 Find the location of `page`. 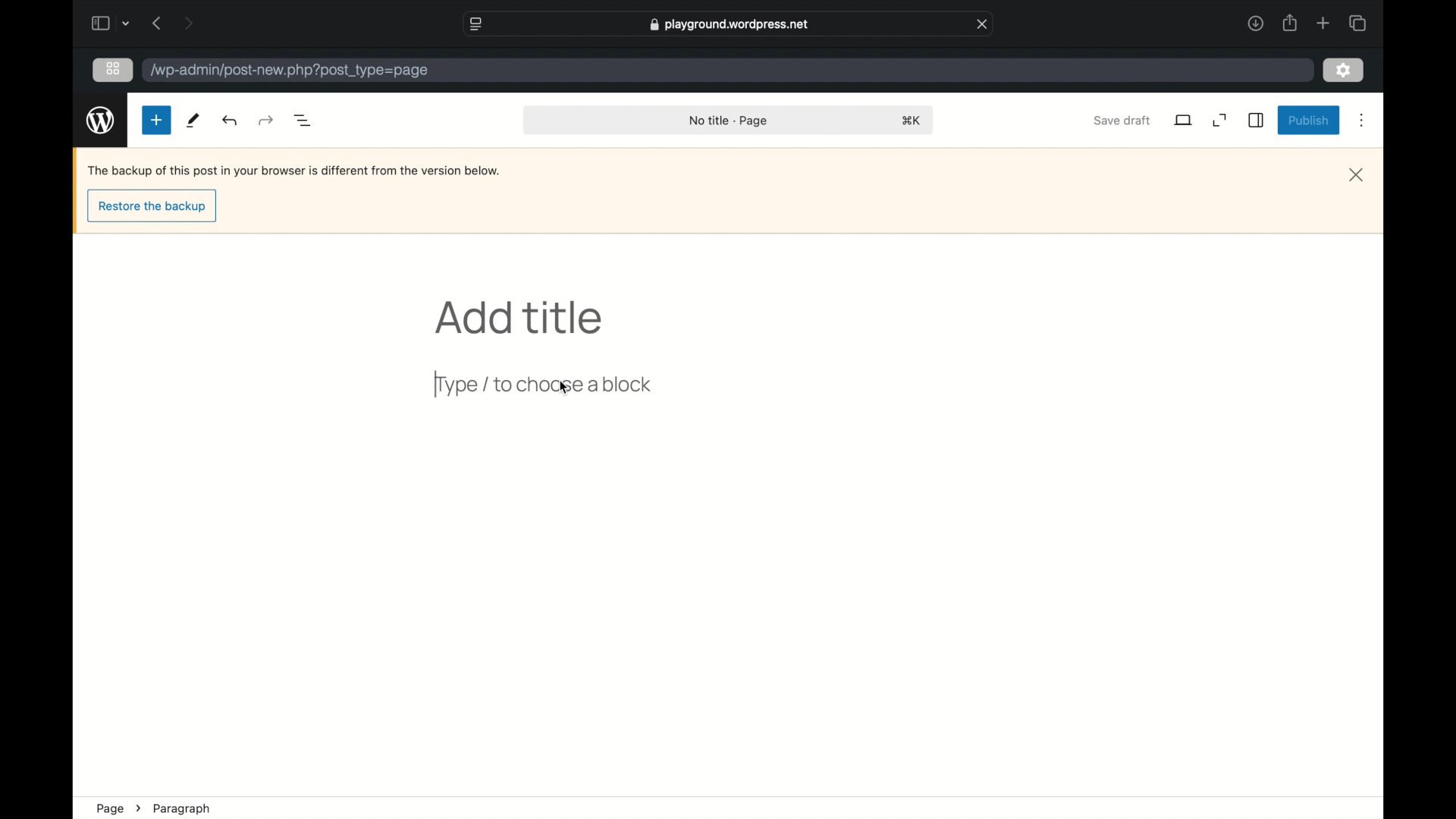

page is located at coordinates (109, 808).